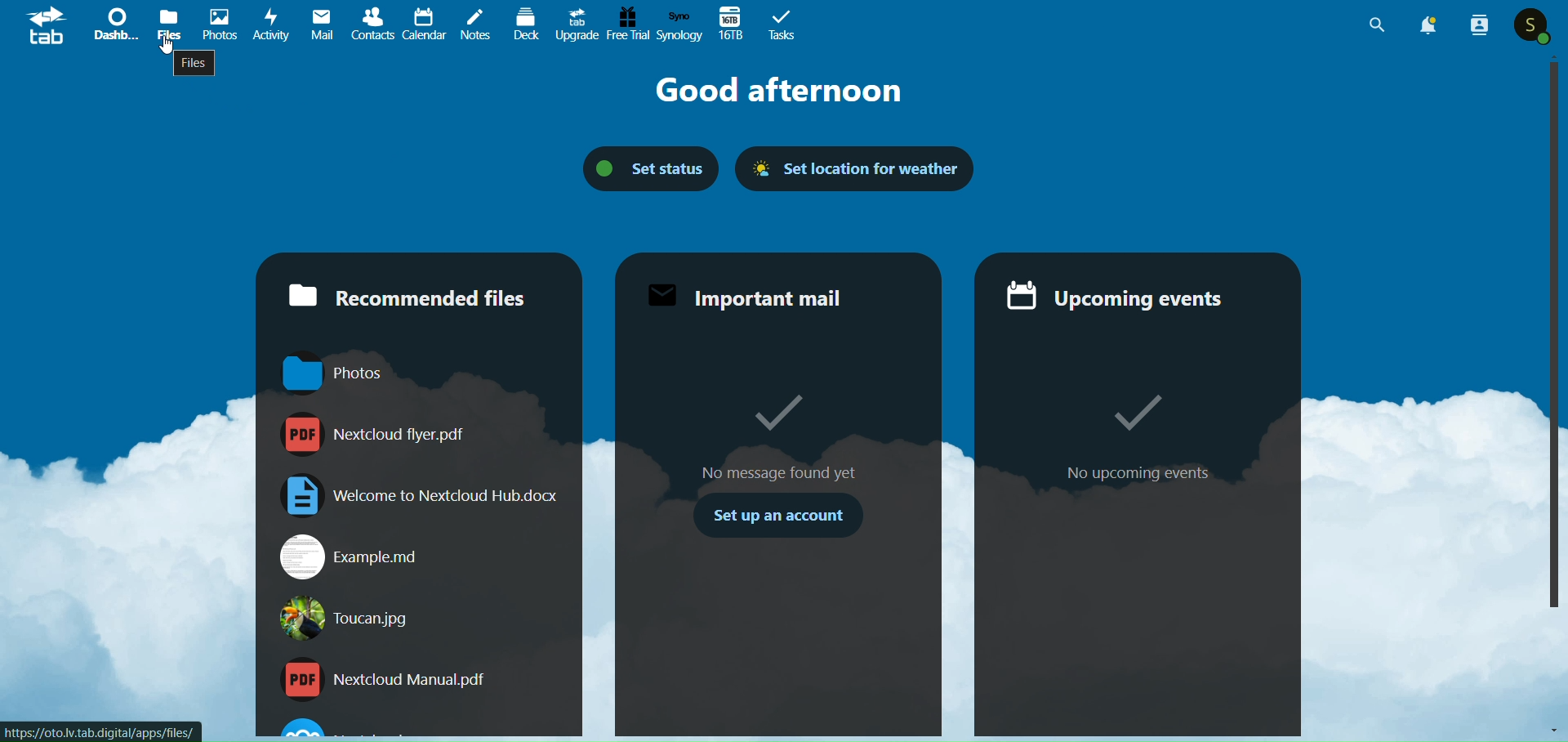  What do you see at coordinates (420, 375) in the screenshot?
I see `Photos` at bounding box center [420, 375].